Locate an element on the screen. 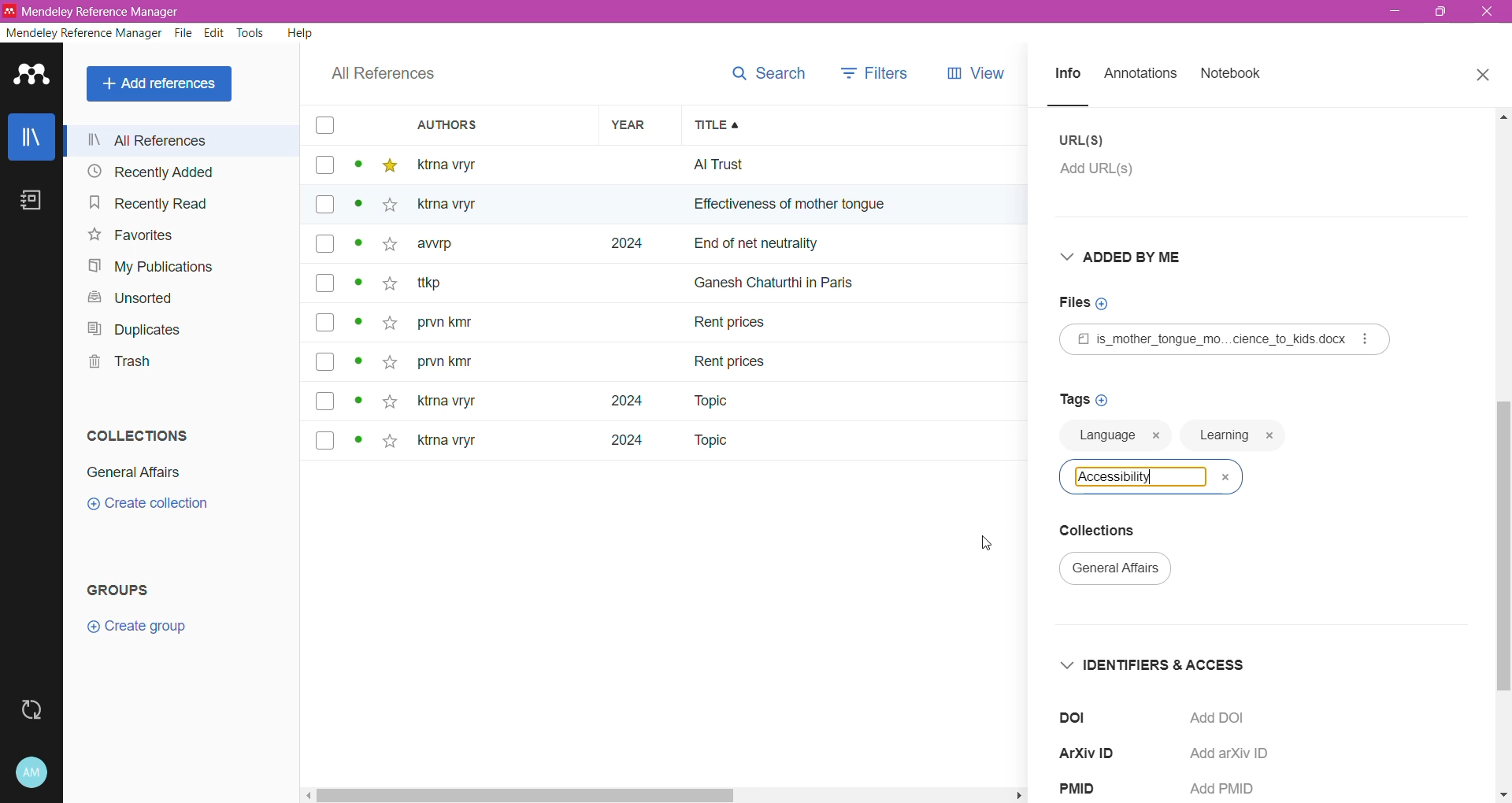 The height and width of the screenshot is (803, 1512). end of net neutrally  is located at coordinates (862, 246).